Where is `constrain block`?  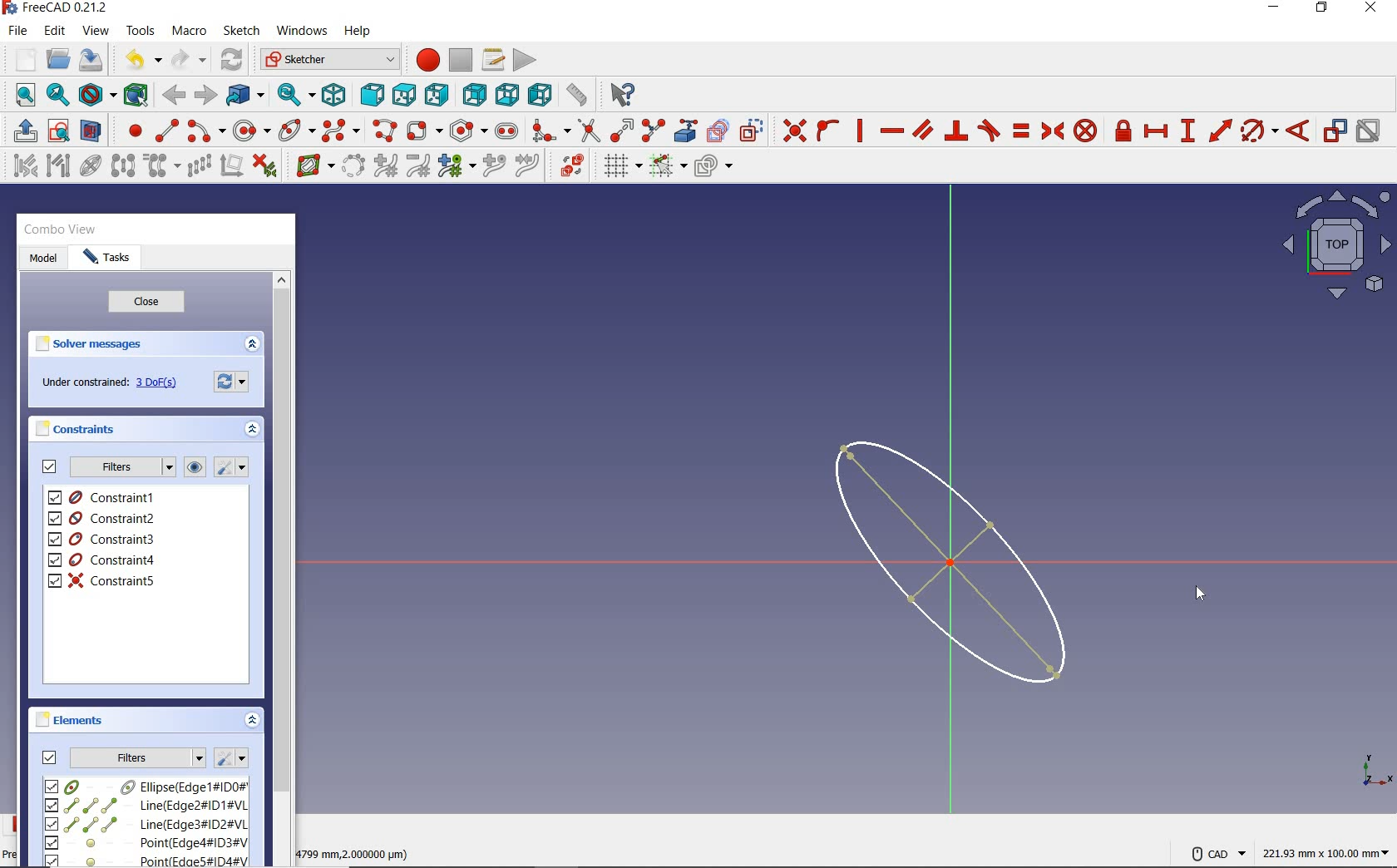 constrain block is located at coordinates (1084, 130).